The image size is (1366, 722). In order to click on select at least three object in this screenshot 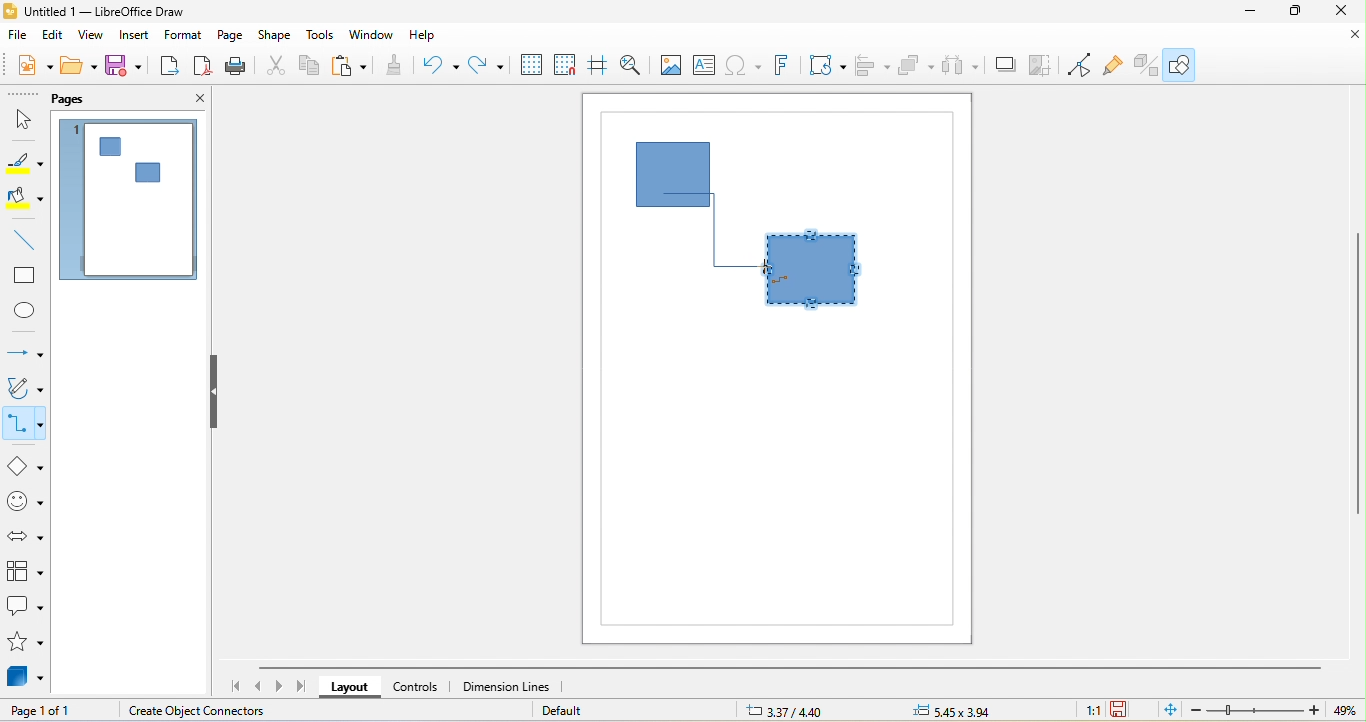, I will do `click(962, 67)`.